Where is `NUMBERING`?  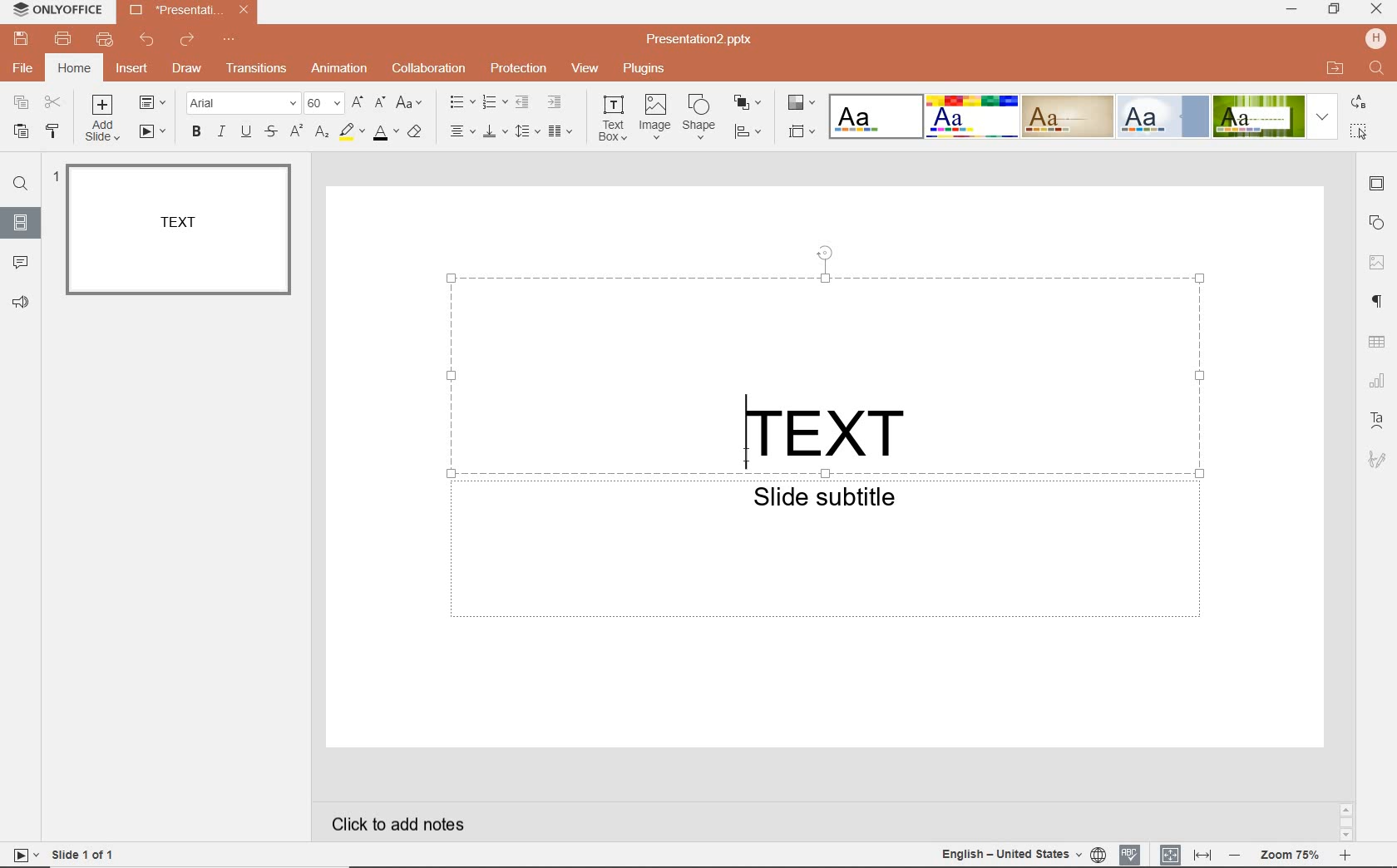
NUMBERING is located at coordinates (493, 104).